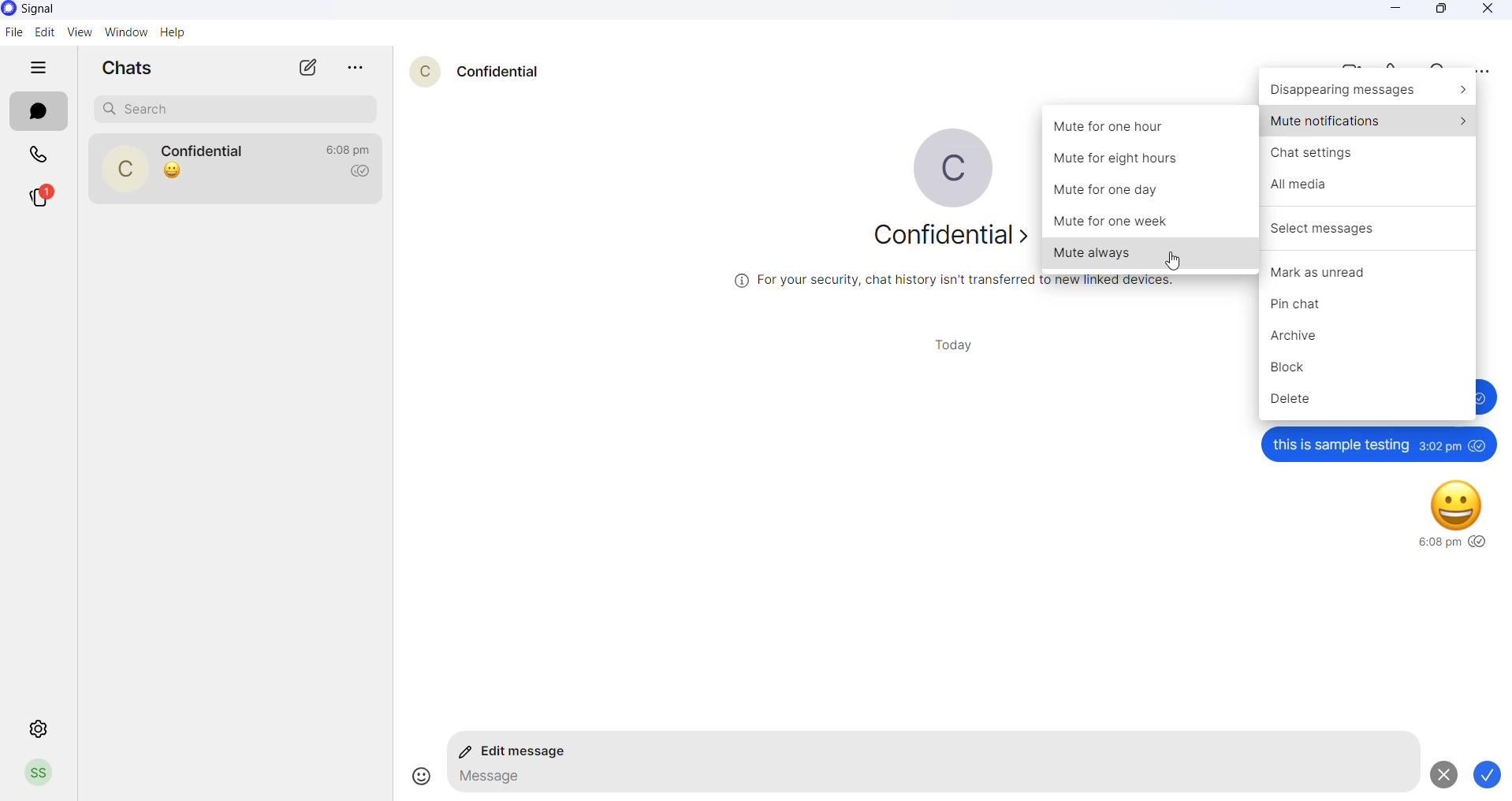 The image size is (1512, 801). What do you see at coordinates (235, 108) in the screenshot?
I see `search chat` at bounding box center [235, 108].